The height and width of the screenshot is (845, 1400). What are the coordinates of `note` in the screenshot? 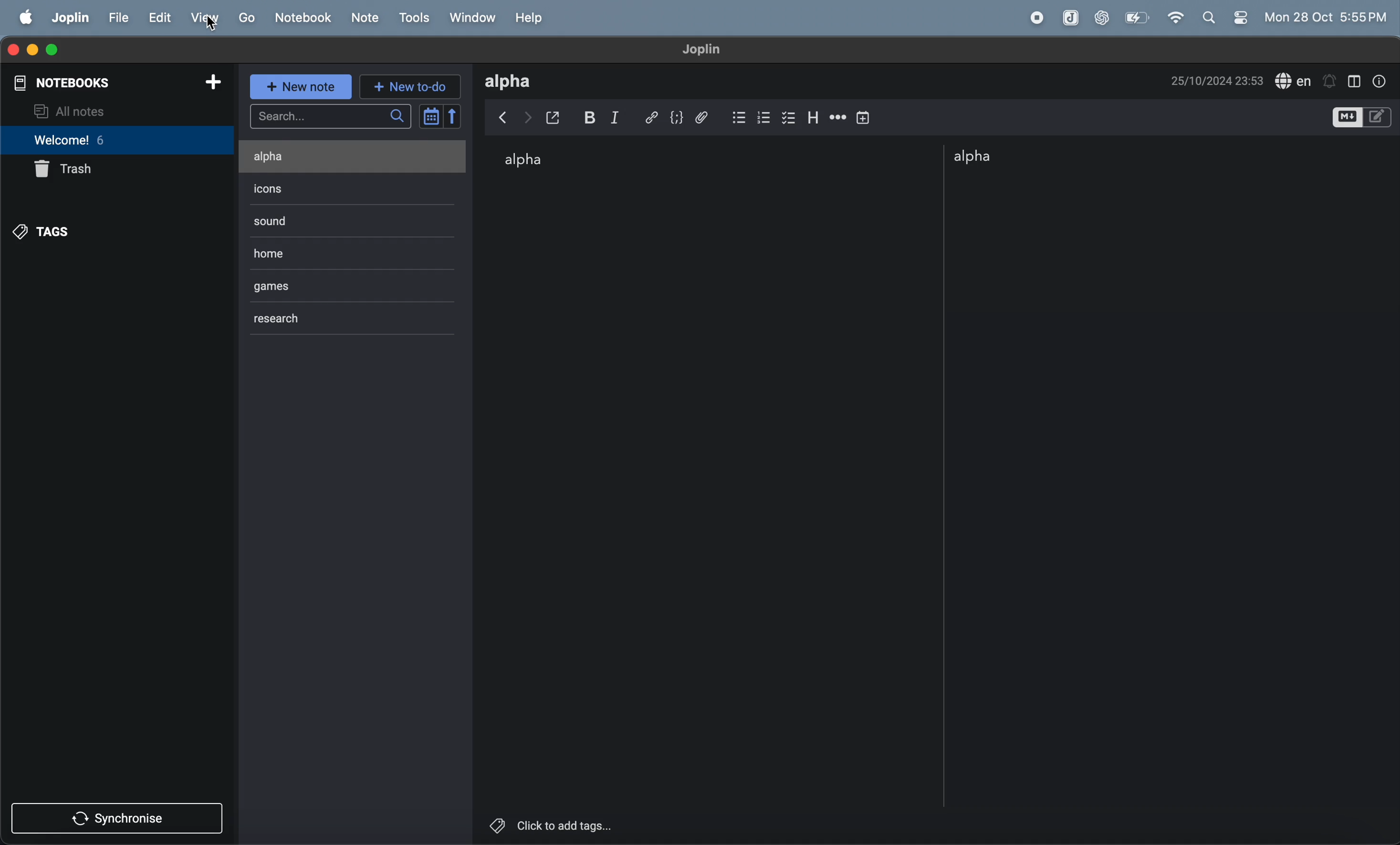 It's located at (365, 19).